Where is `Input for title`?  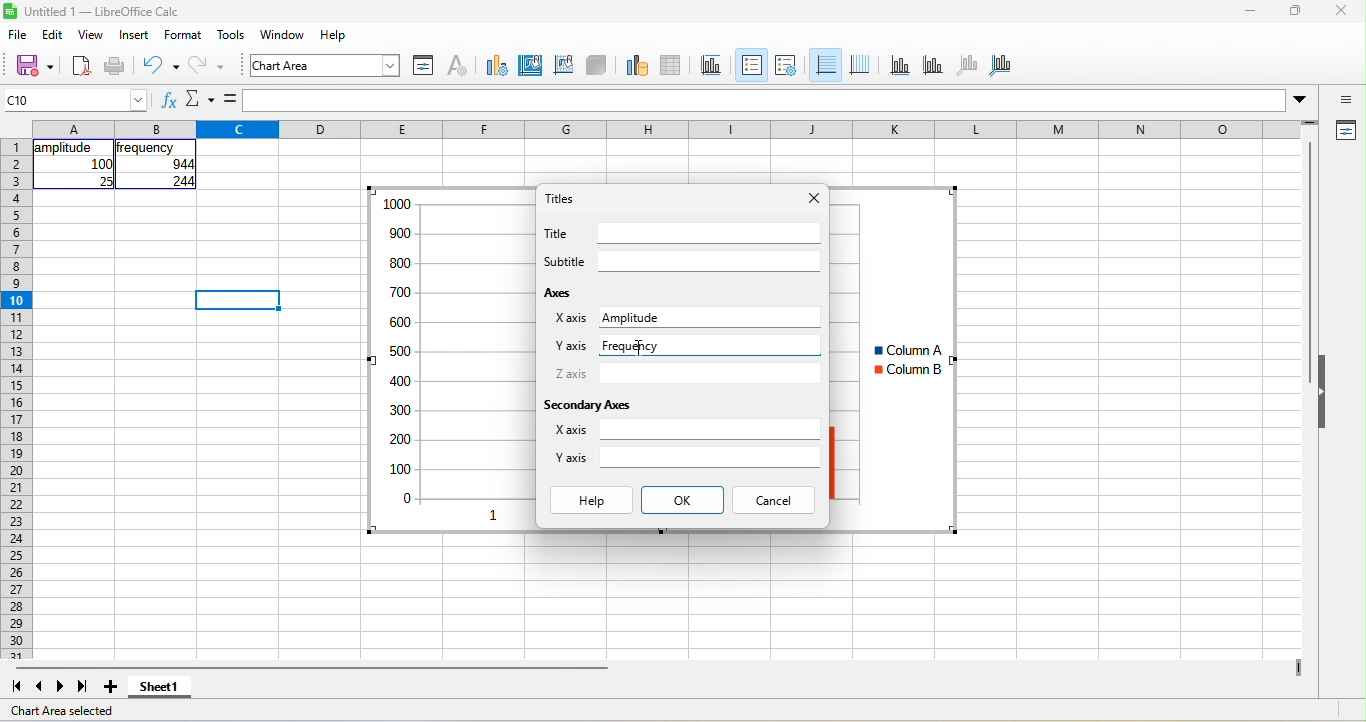 Input for title is located at coordinates (710, 233).